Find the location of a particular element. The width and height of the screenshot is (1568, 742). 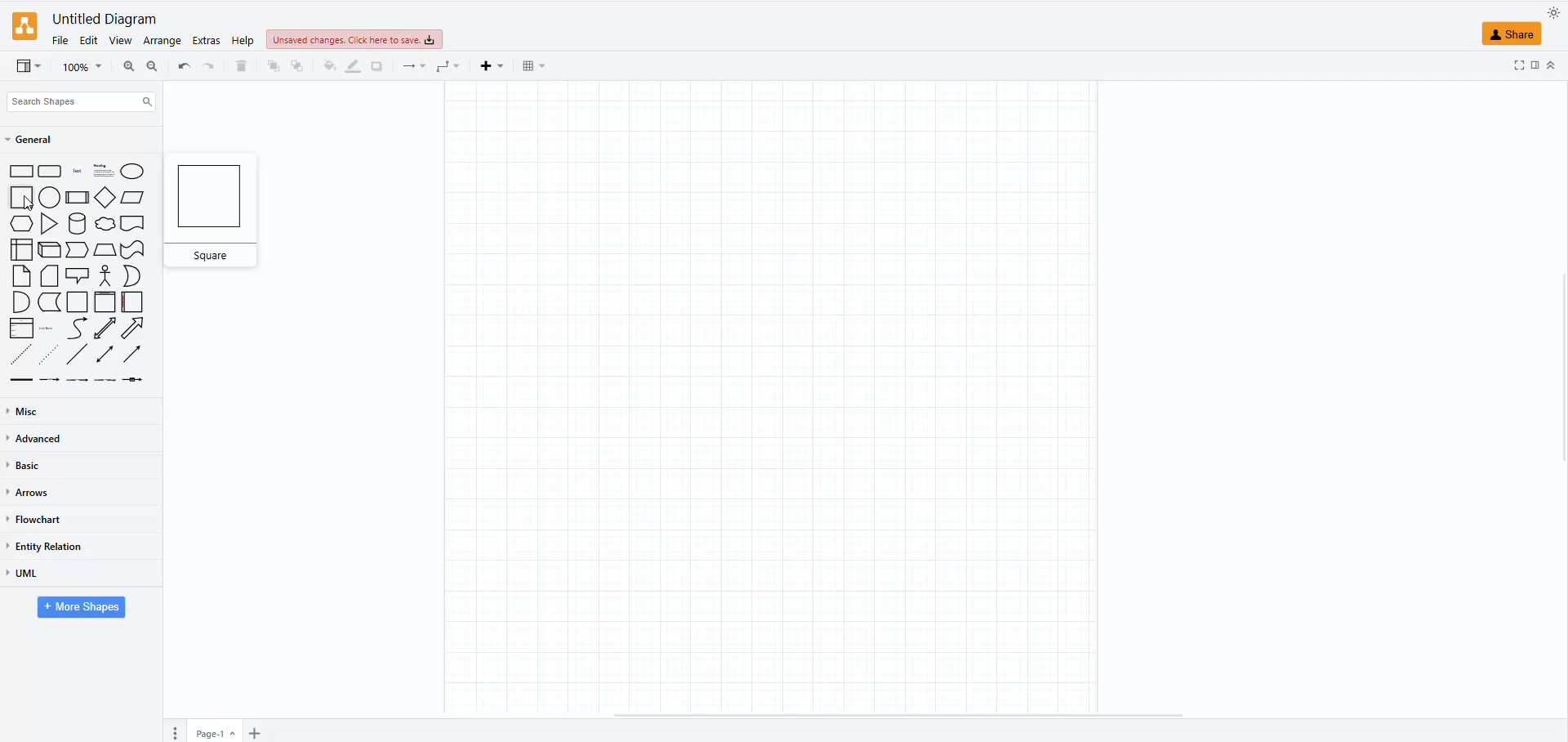

And is located at coordinates (22, 302).